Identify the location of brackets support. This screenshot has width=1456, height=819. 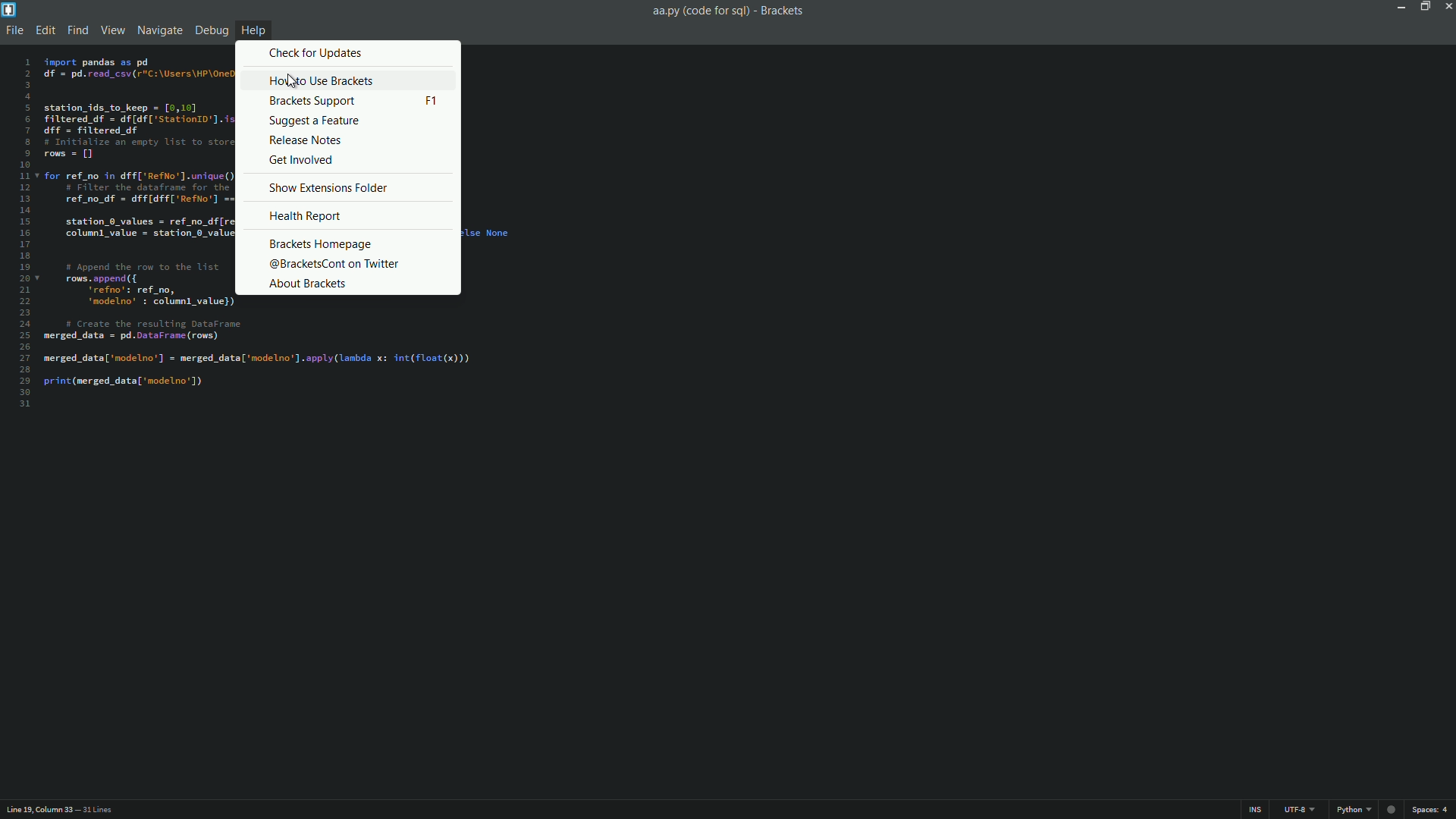
(353, 102).